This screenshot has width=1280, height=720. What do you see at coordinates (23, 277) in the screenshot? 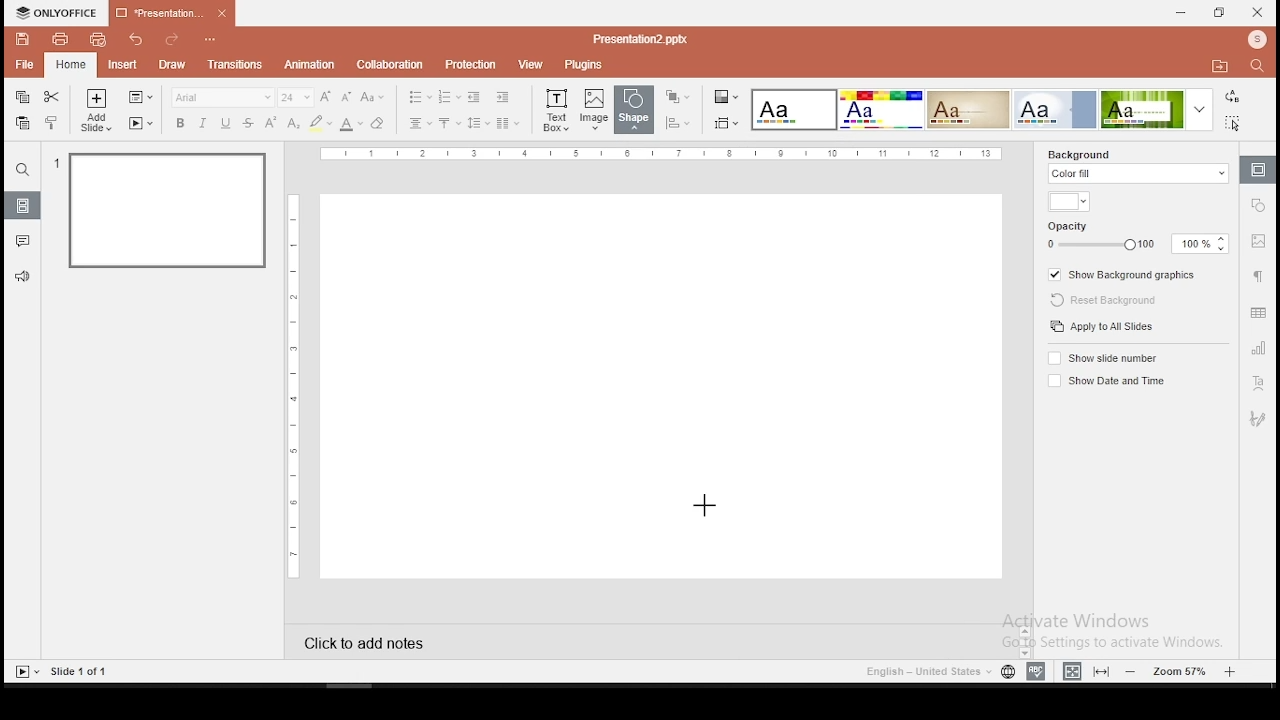
I see `support and feedback` at bounding box center [23, 277].